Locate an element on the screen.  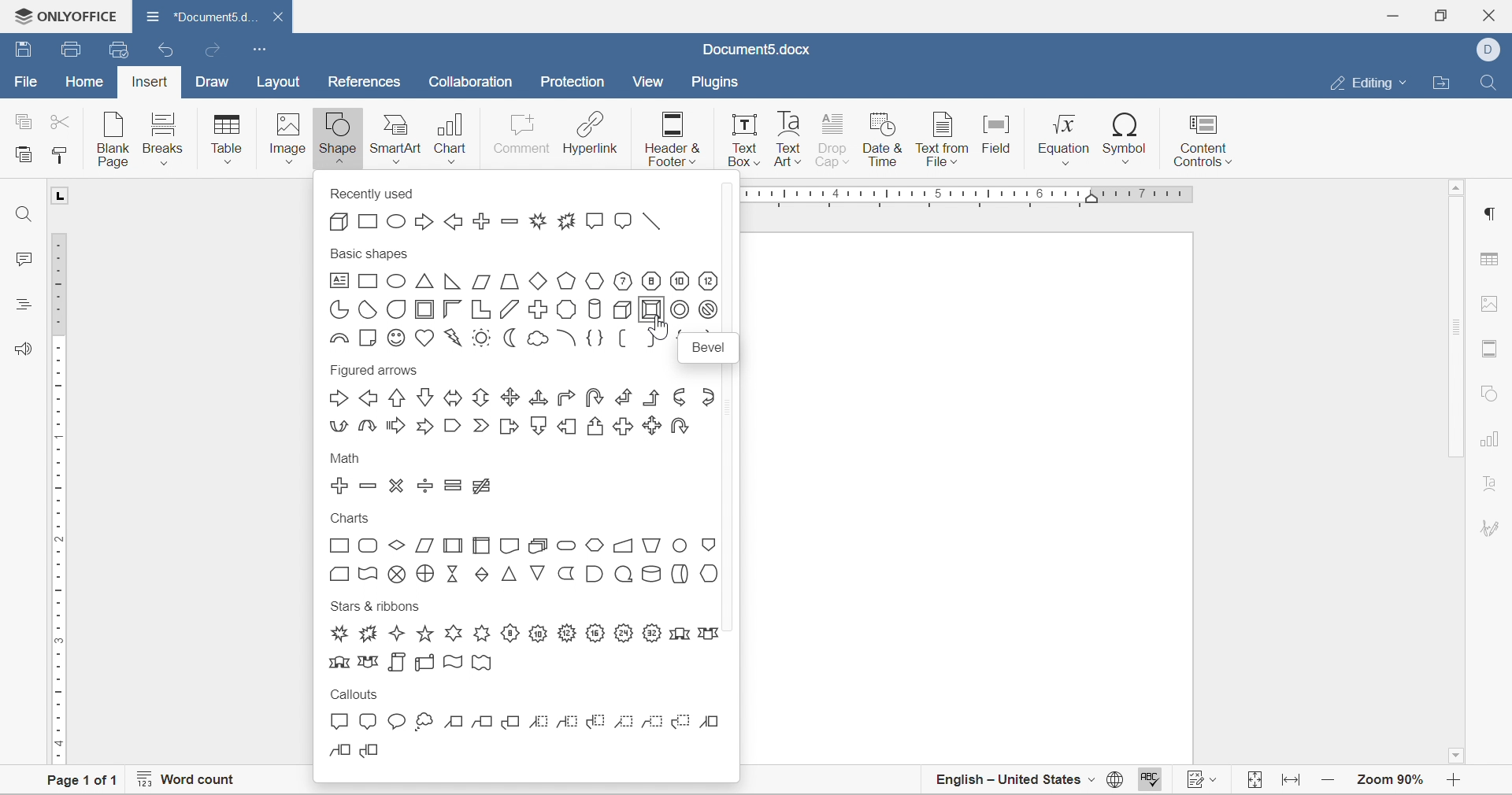
callouts is located at coordinates (524, 725).